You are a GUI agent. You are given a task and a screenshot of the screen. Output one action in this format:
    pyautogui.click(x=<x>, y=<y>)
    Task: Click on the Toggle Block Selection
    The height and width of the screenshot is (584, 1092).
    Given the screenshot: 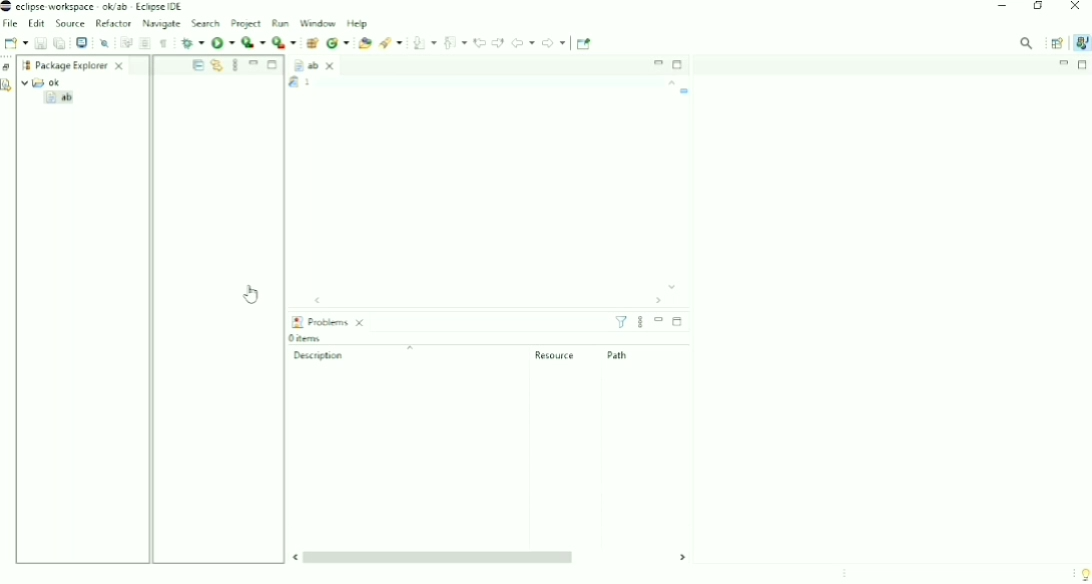 What is the action you would take?
    pyautogui.click(x=145, y=43)
    